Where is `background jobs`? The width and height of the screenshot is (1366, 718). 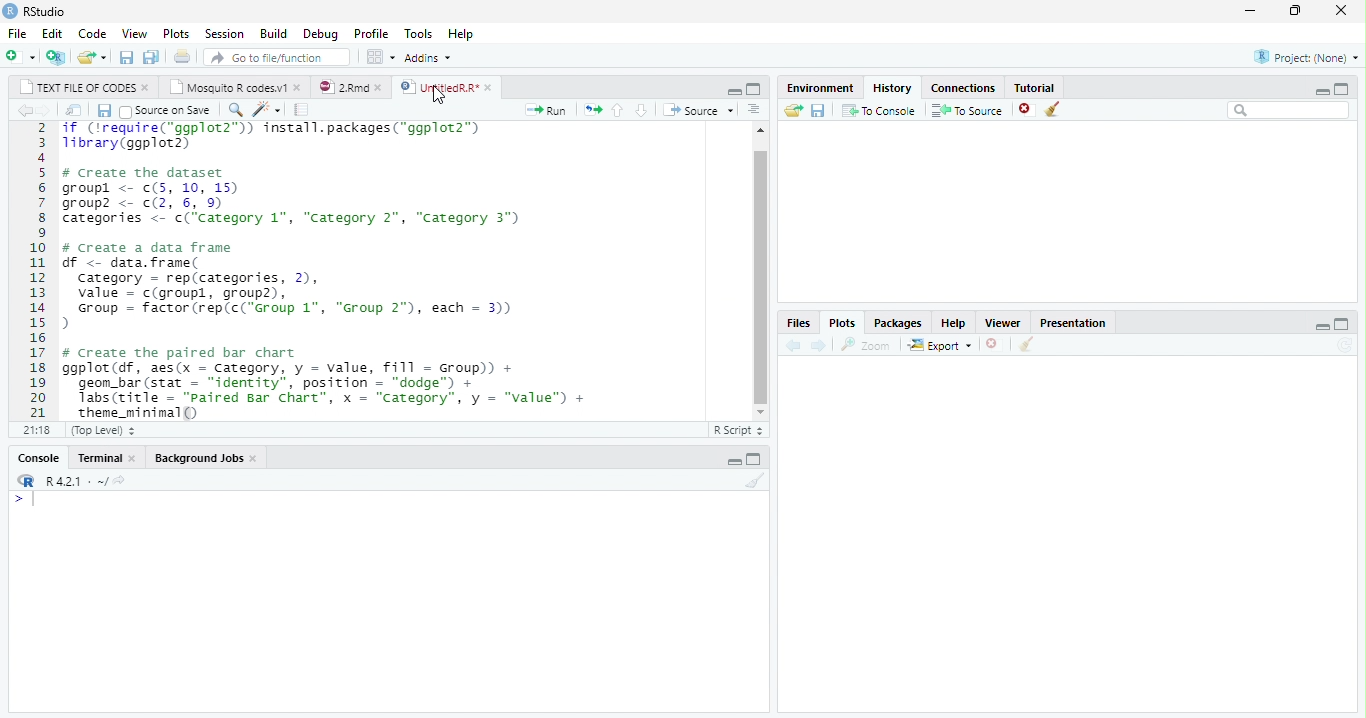
background jobs is located at coordinates (198, 457).